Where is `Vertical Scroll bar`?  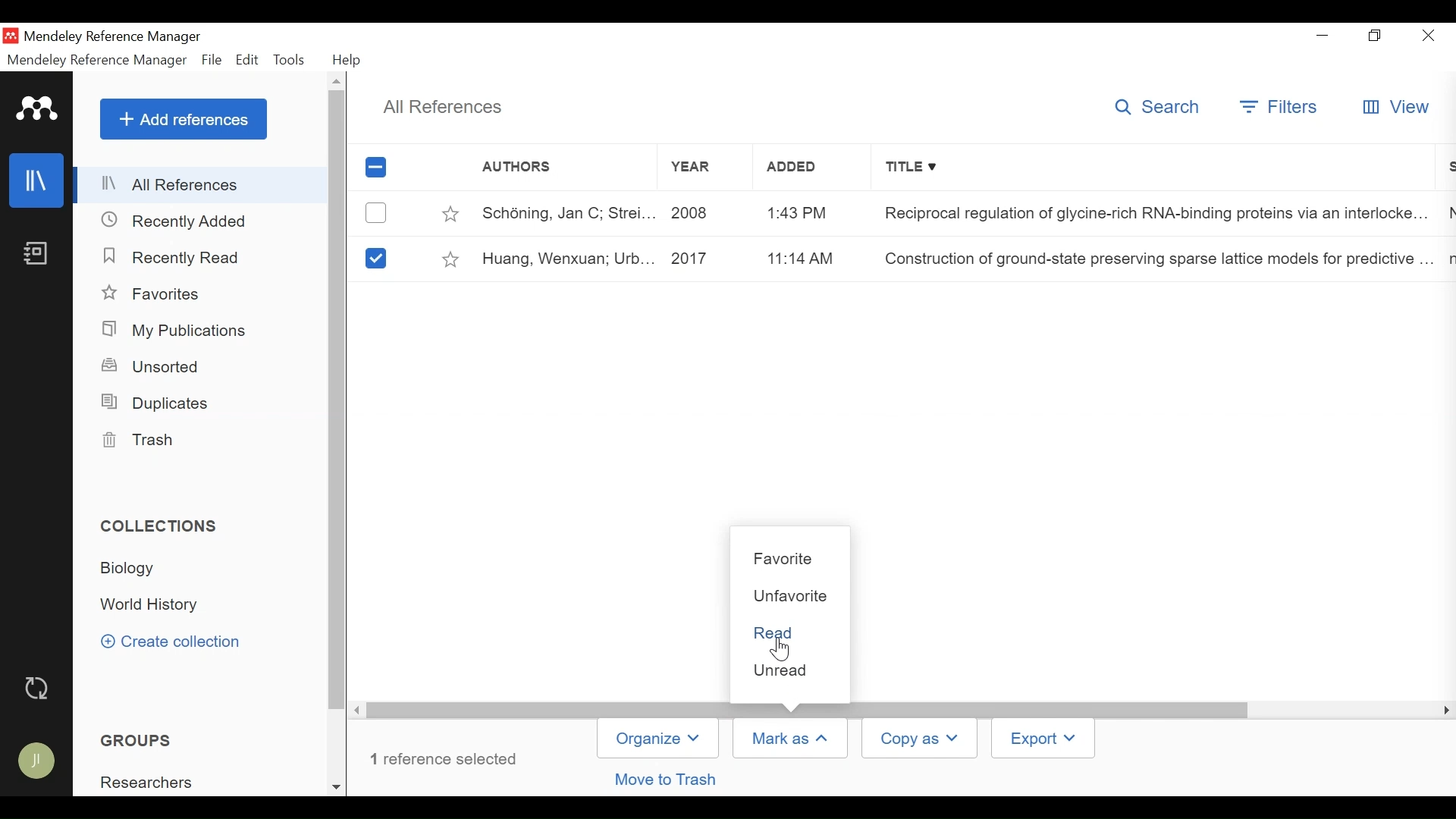
Vertical Scroll bar is located at coordinates (811, 710).